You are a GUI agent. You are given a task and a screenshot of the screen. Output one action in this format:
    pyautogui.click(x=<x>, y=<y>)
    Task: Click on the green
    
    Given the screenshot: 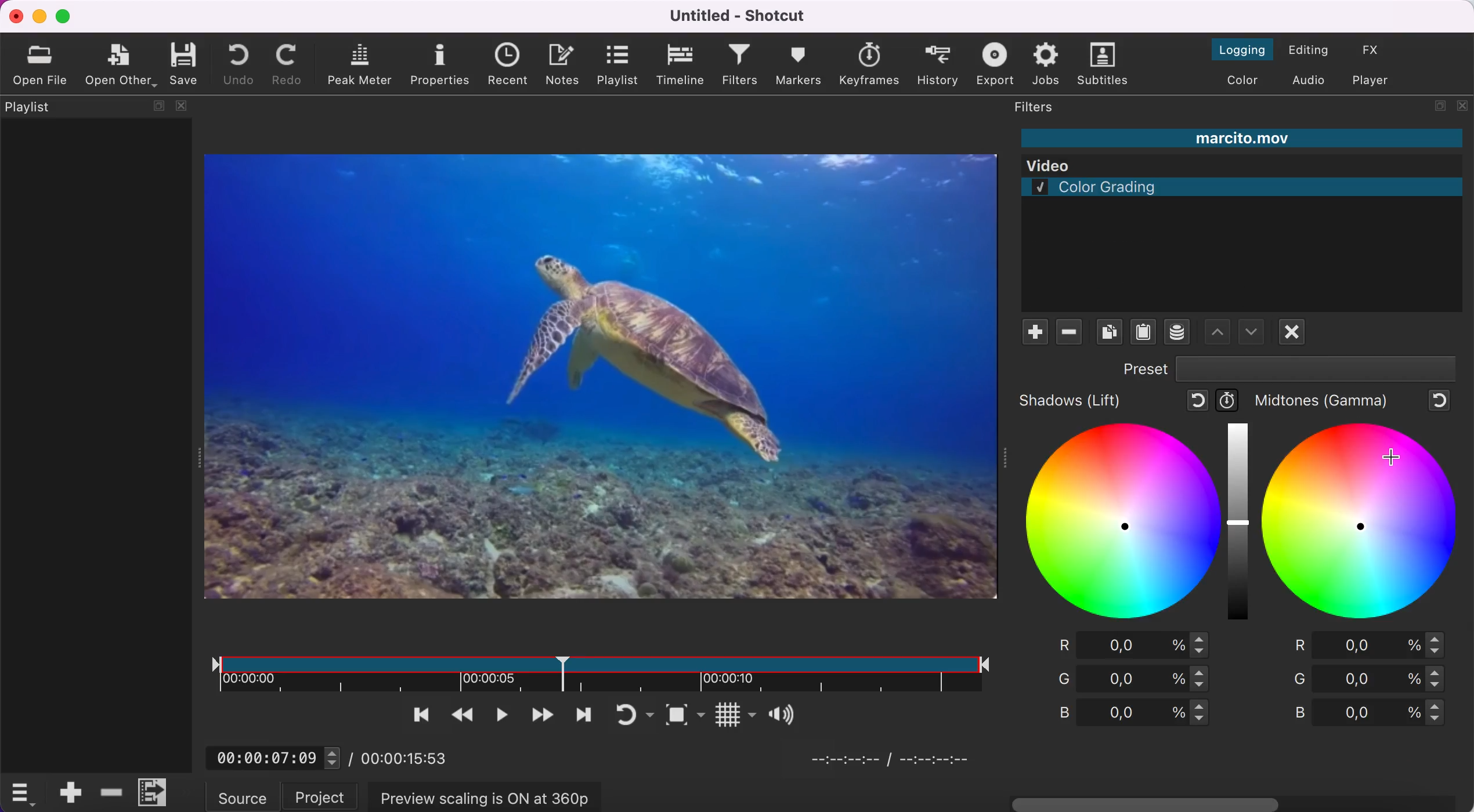 What is the action you would take?
    pyautogui.click(x=1367, y=679)
    